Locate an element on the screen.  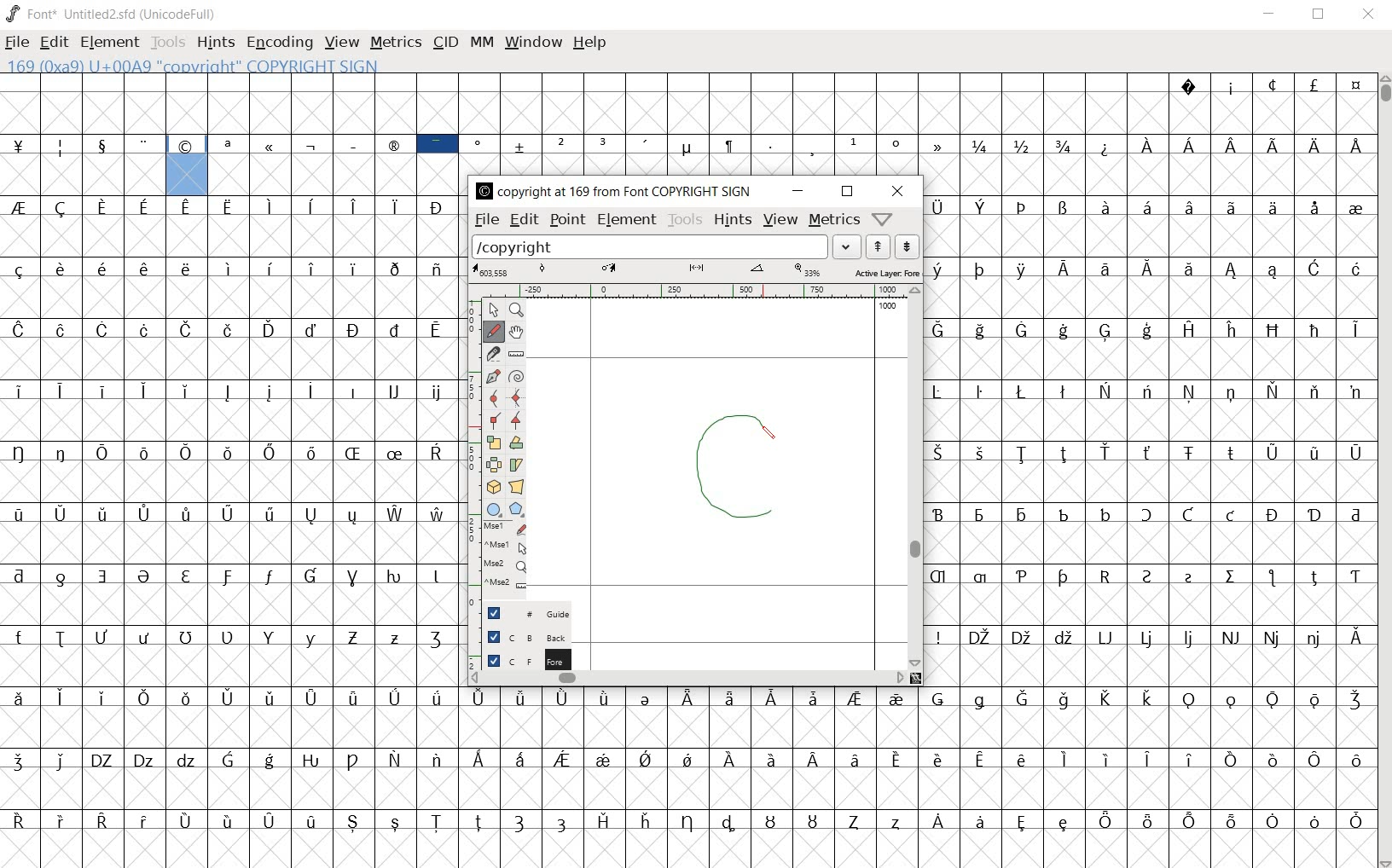
minimize is located at coordinates (797, 191).